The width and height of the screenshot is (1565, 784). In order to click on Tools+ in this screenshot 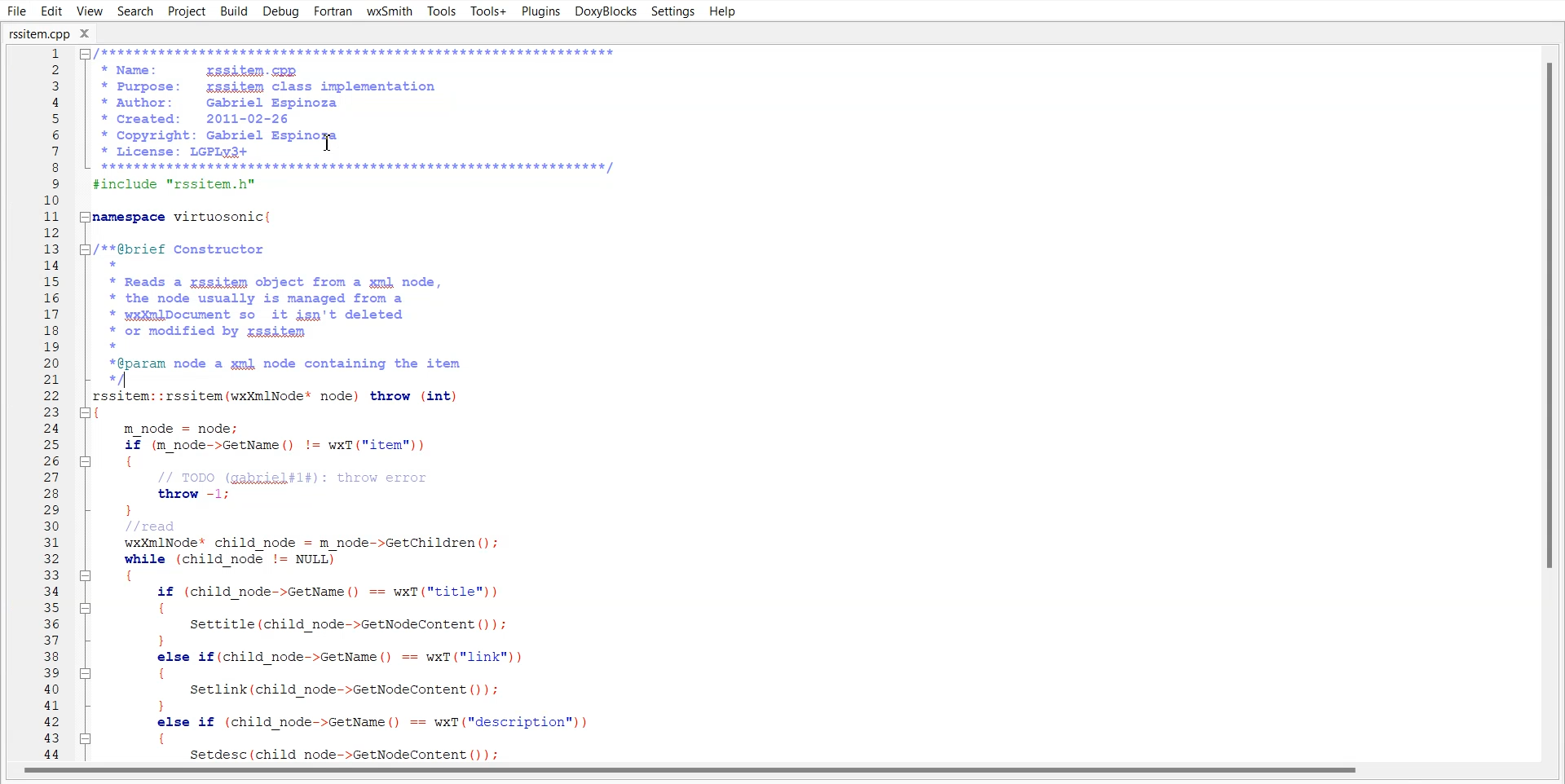, I will do `click(488, 11)`.